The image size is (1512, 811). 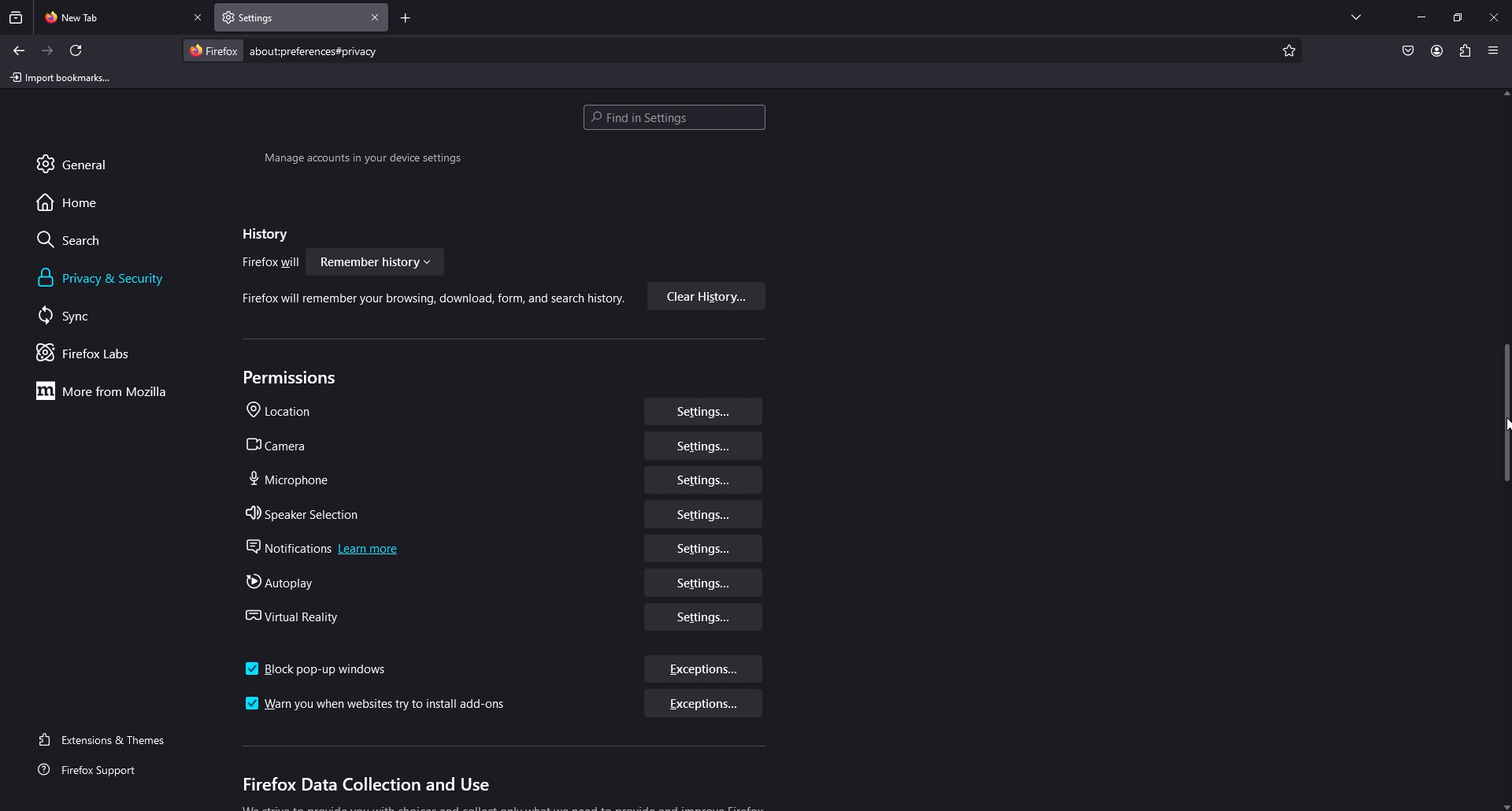 I want to click on extension, so click(x=1466, y=50).